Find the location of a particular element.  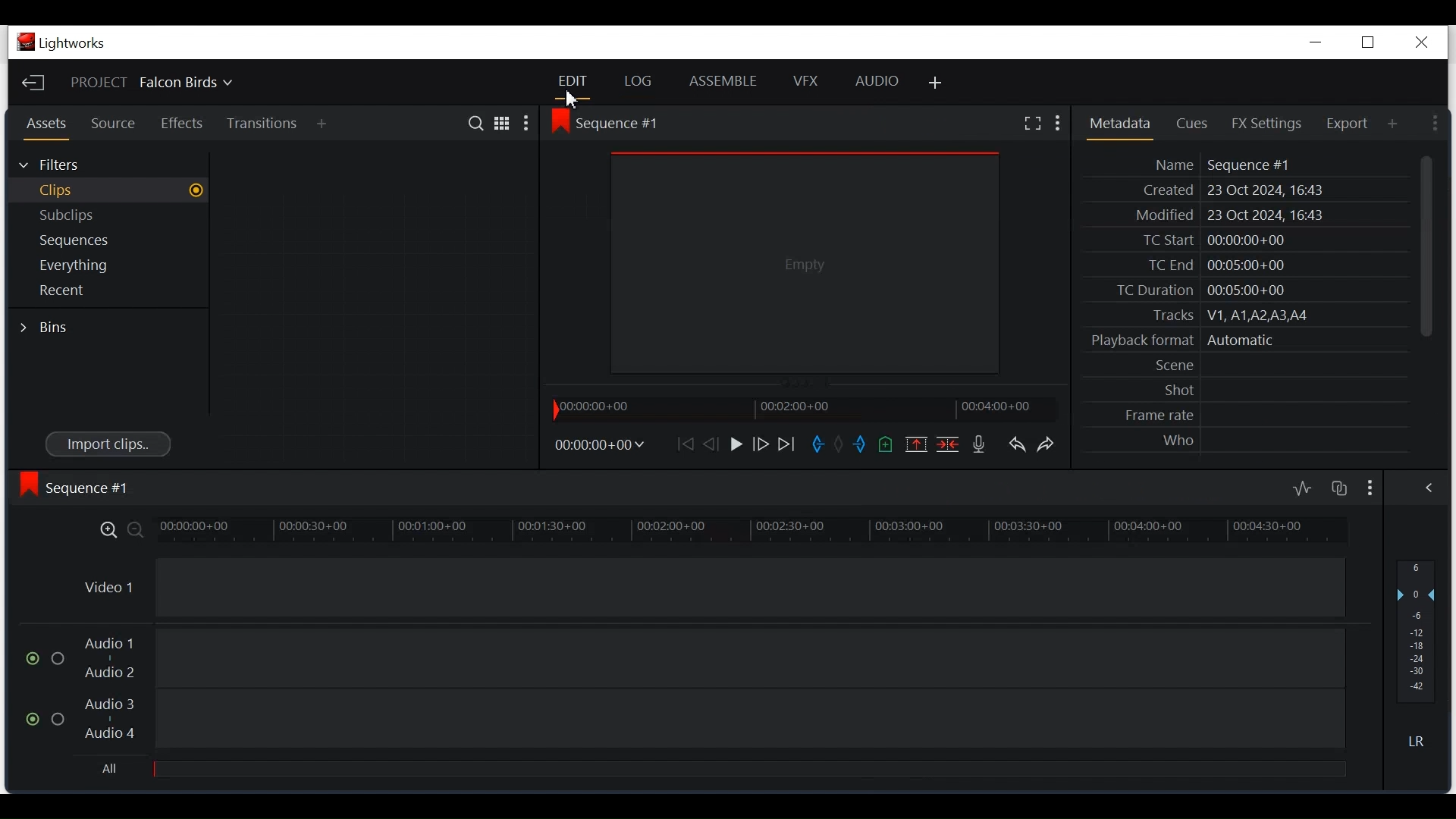

Sequence view is located at coordinates (83, 485).